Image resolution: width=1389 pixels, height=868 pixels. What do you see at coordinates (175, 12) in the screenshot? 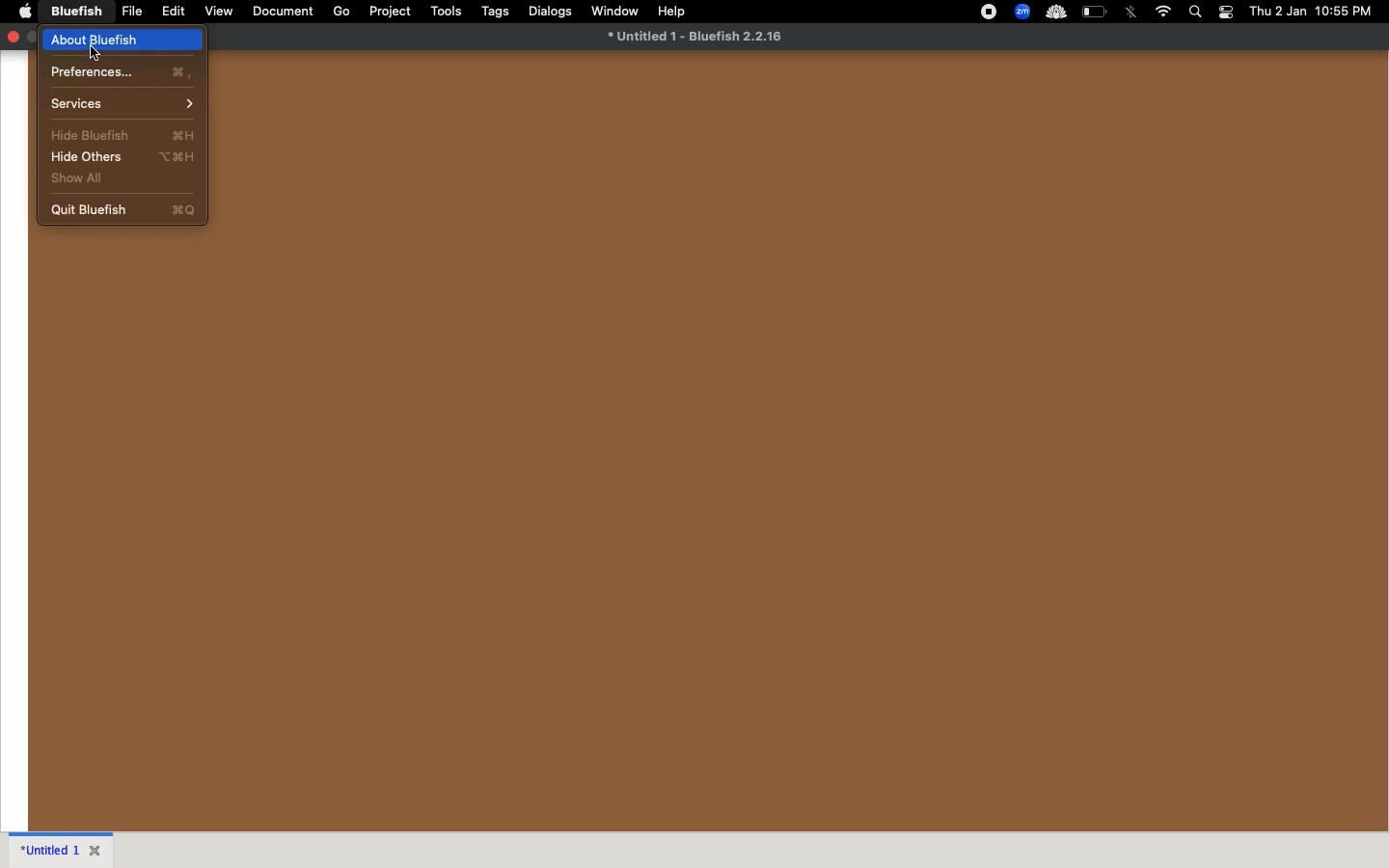
I see `edit` at bounding box center [175, 12].